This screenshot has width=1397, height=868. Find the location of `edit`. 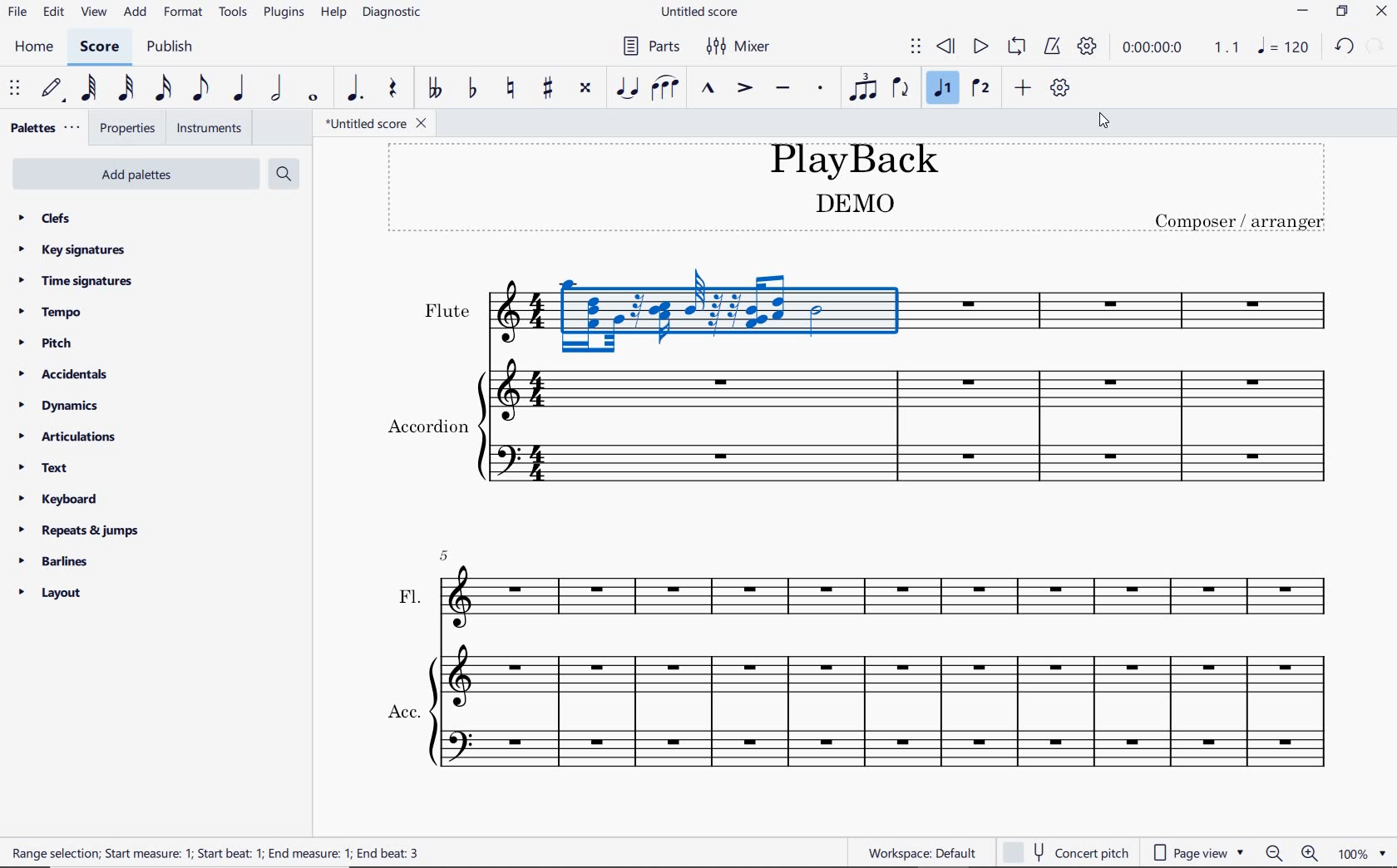

edit is located at coordinates (53, 13).